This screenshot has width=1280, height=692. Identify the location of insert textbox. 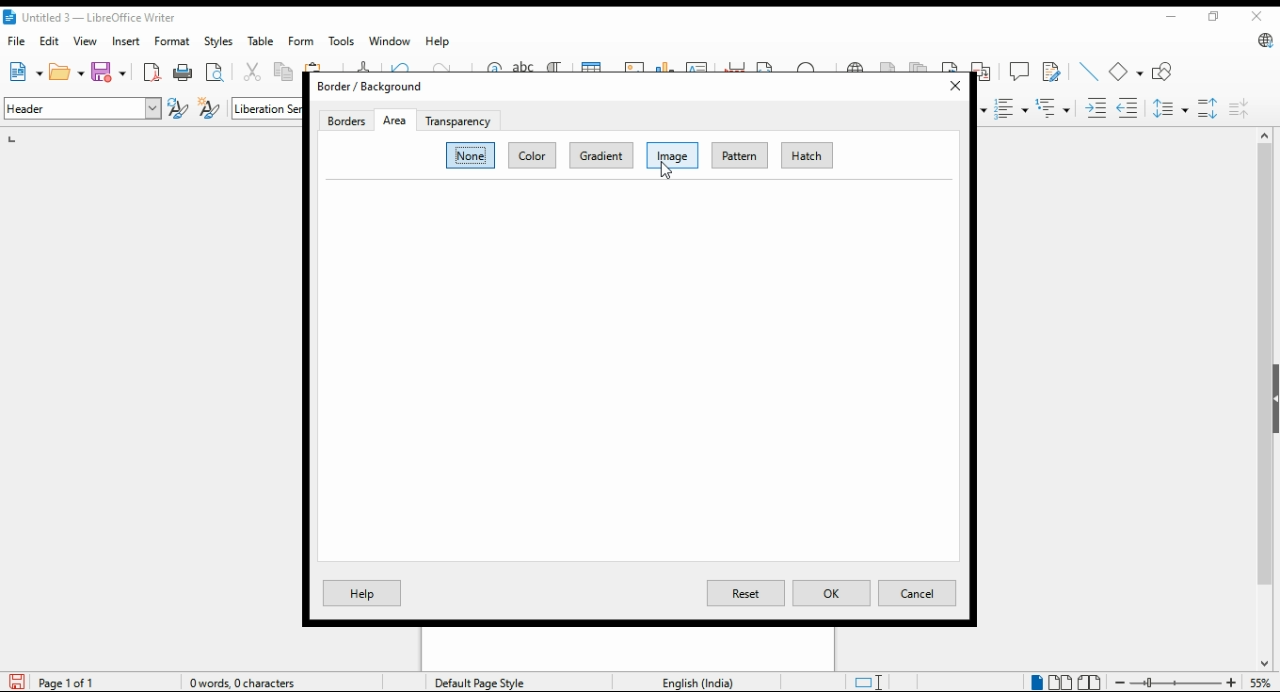
(698, 65).